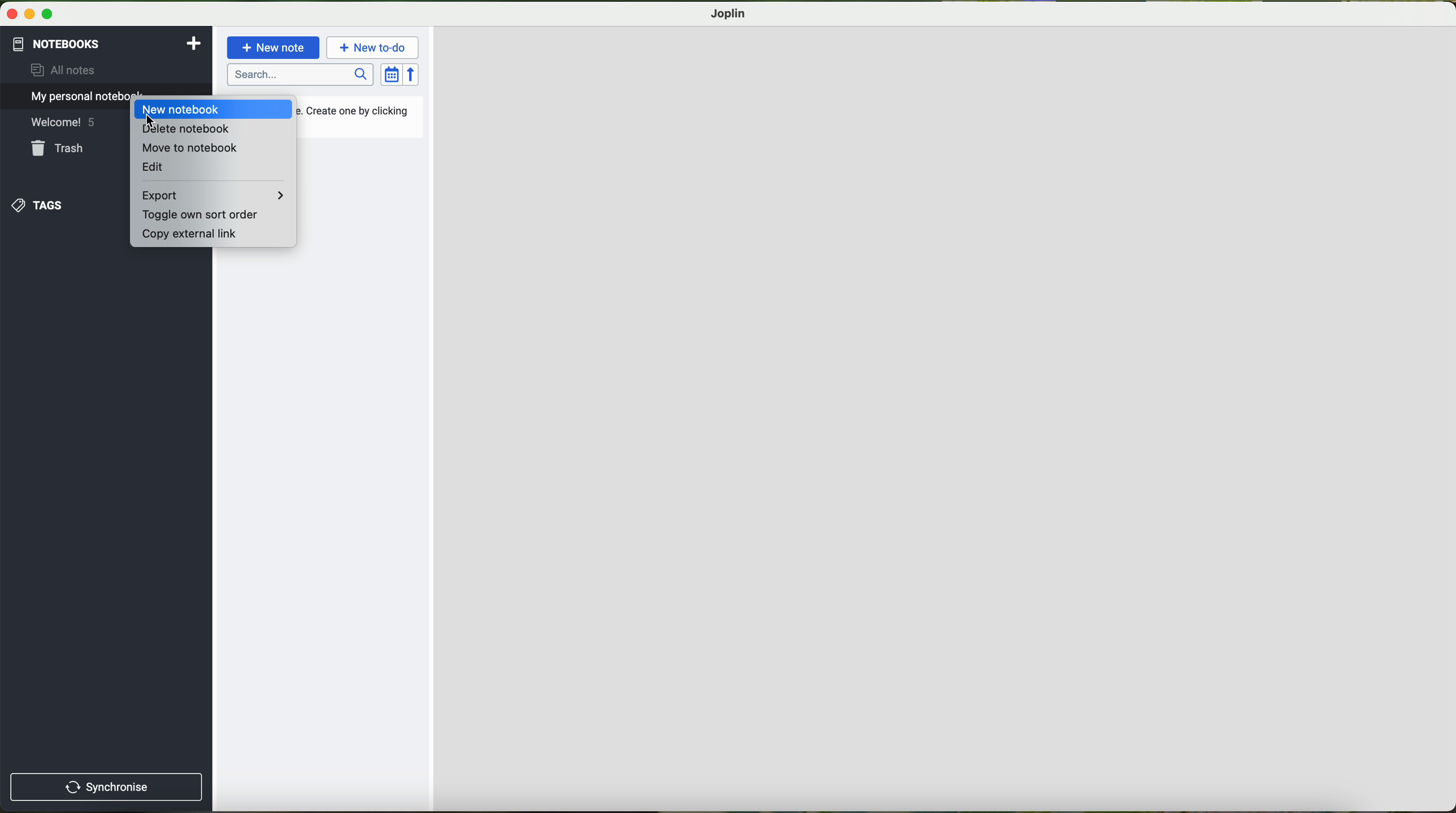  I want to click on maximize, so click(47, 15).